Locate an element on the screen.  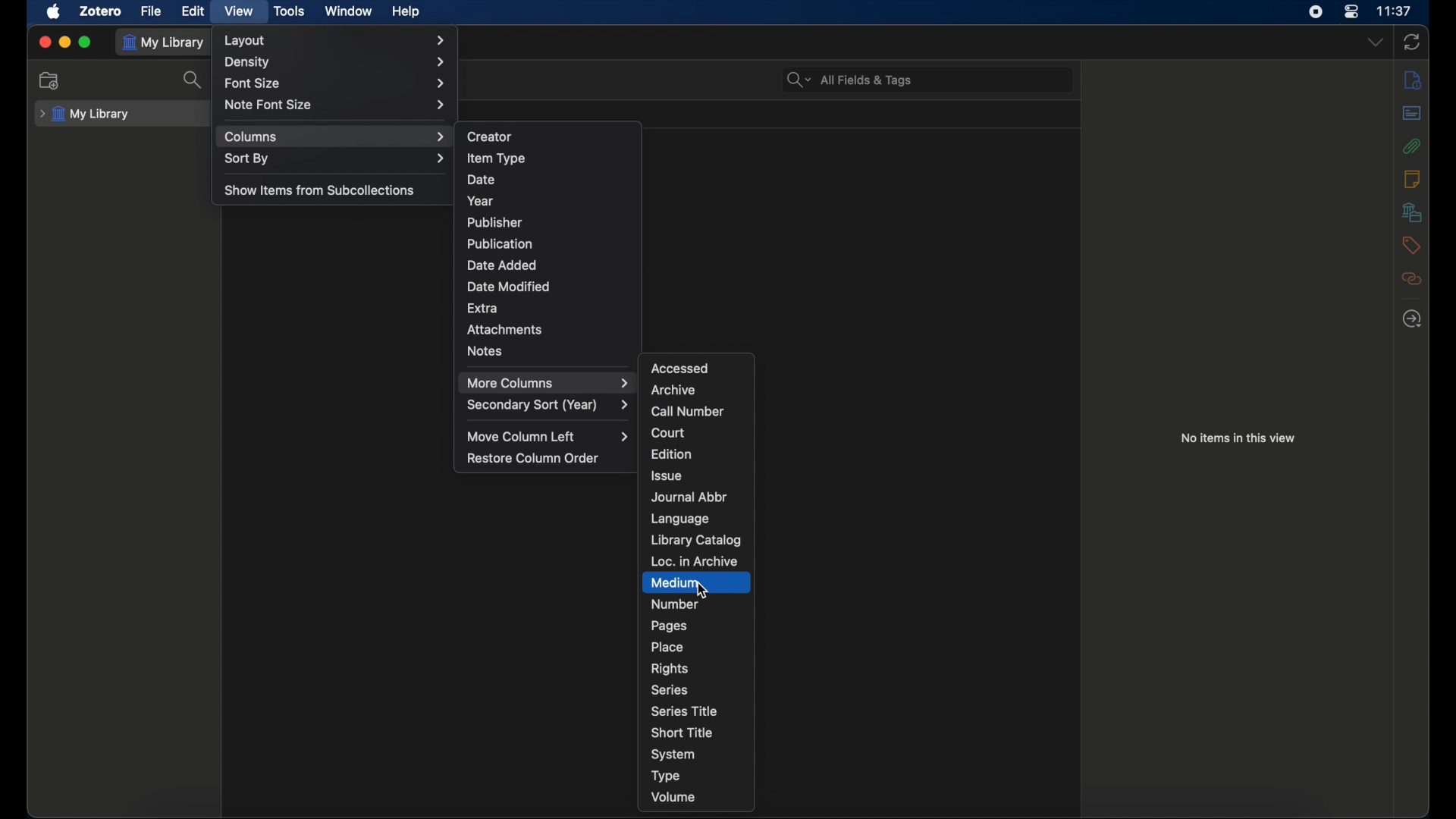
short title is located at coordinates (682, 731).